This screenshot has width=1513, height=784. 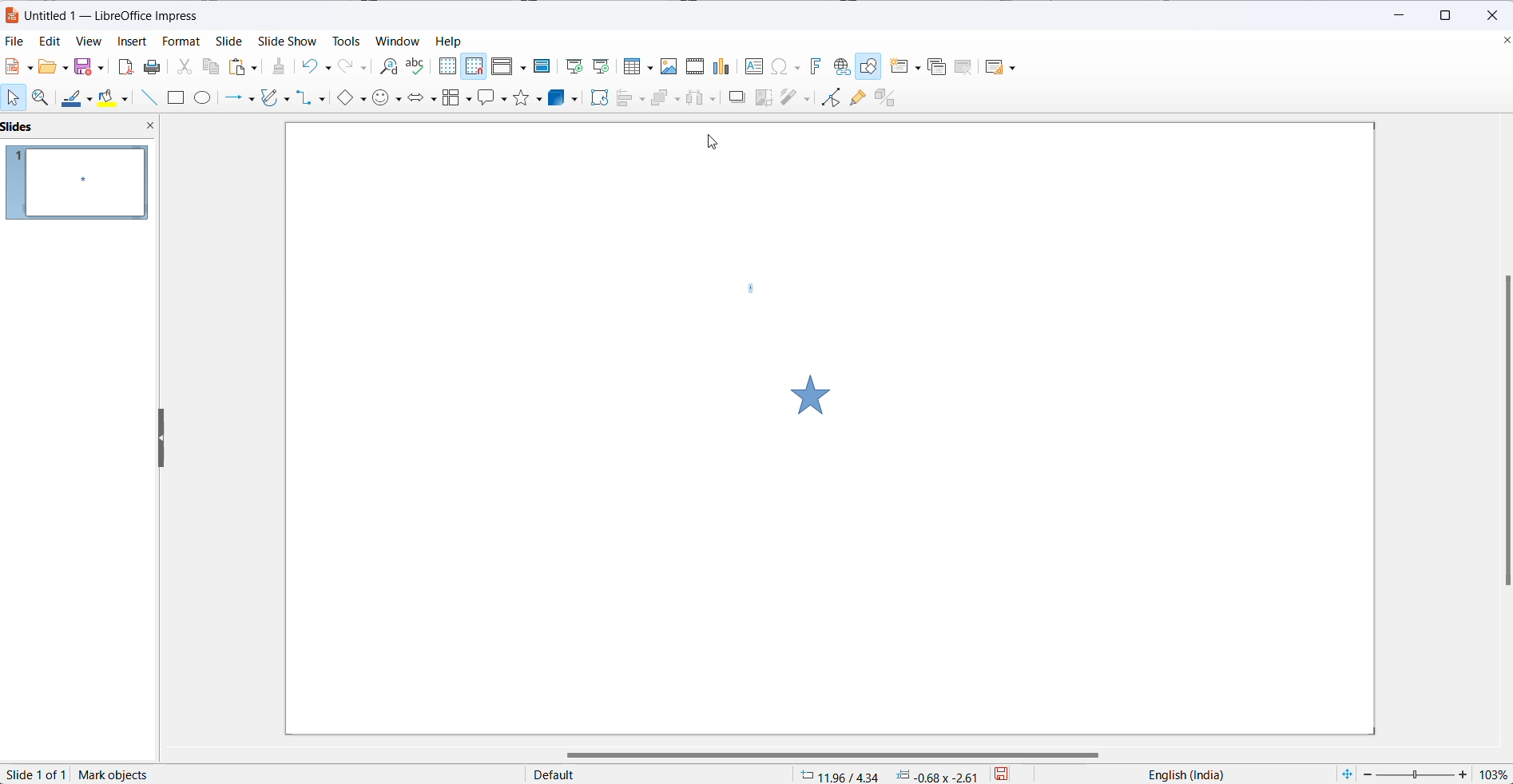 What do you see at coordinates (887, 776) in the screenshot?
I see `6.60/-0.37    0.00x0.00` at bounding box center [887, 776].